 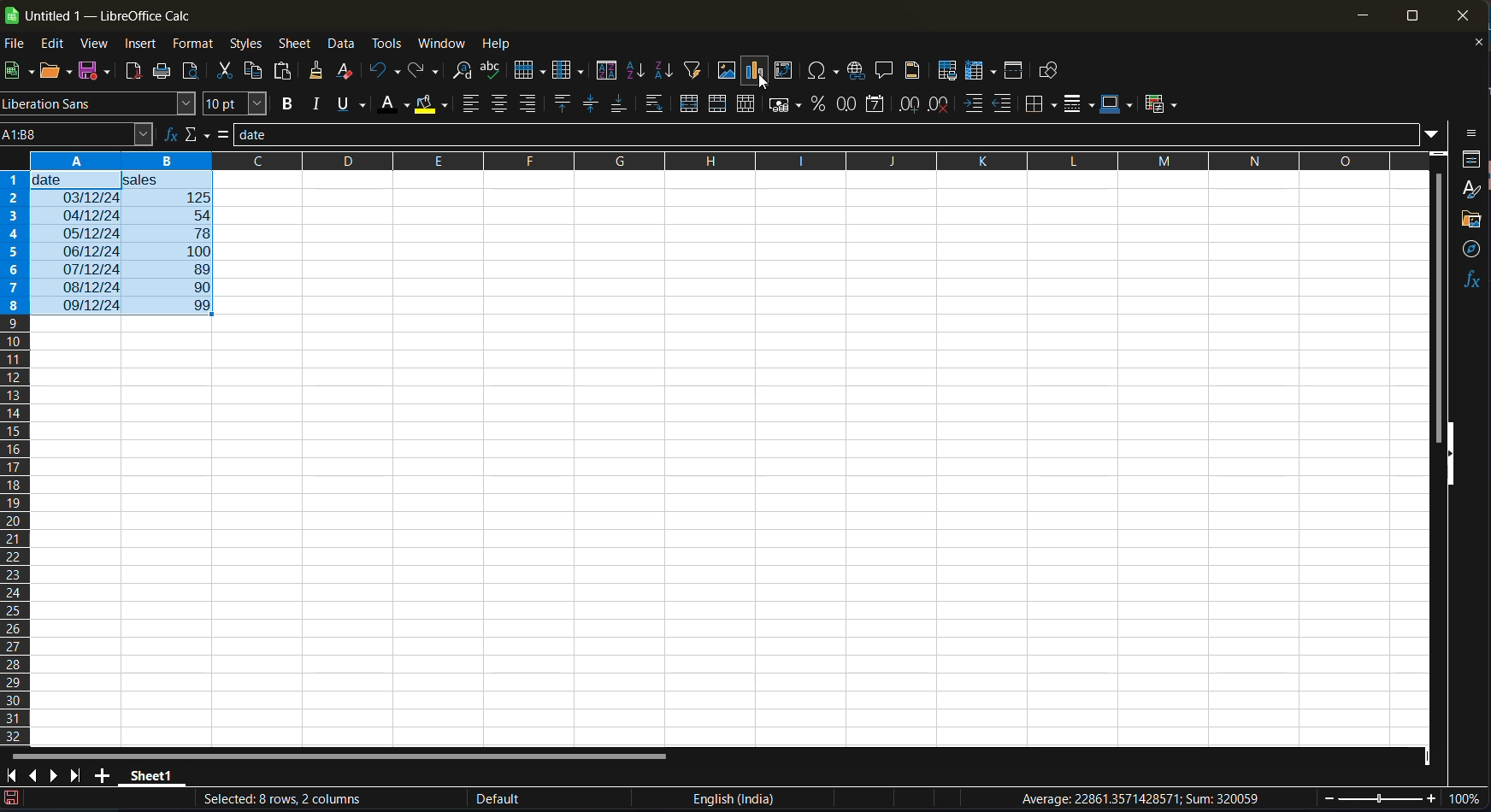 What do you see at coordinates (318, 72) in the screenshot?
I see `clone formatting` at bounding box center [318, 72].